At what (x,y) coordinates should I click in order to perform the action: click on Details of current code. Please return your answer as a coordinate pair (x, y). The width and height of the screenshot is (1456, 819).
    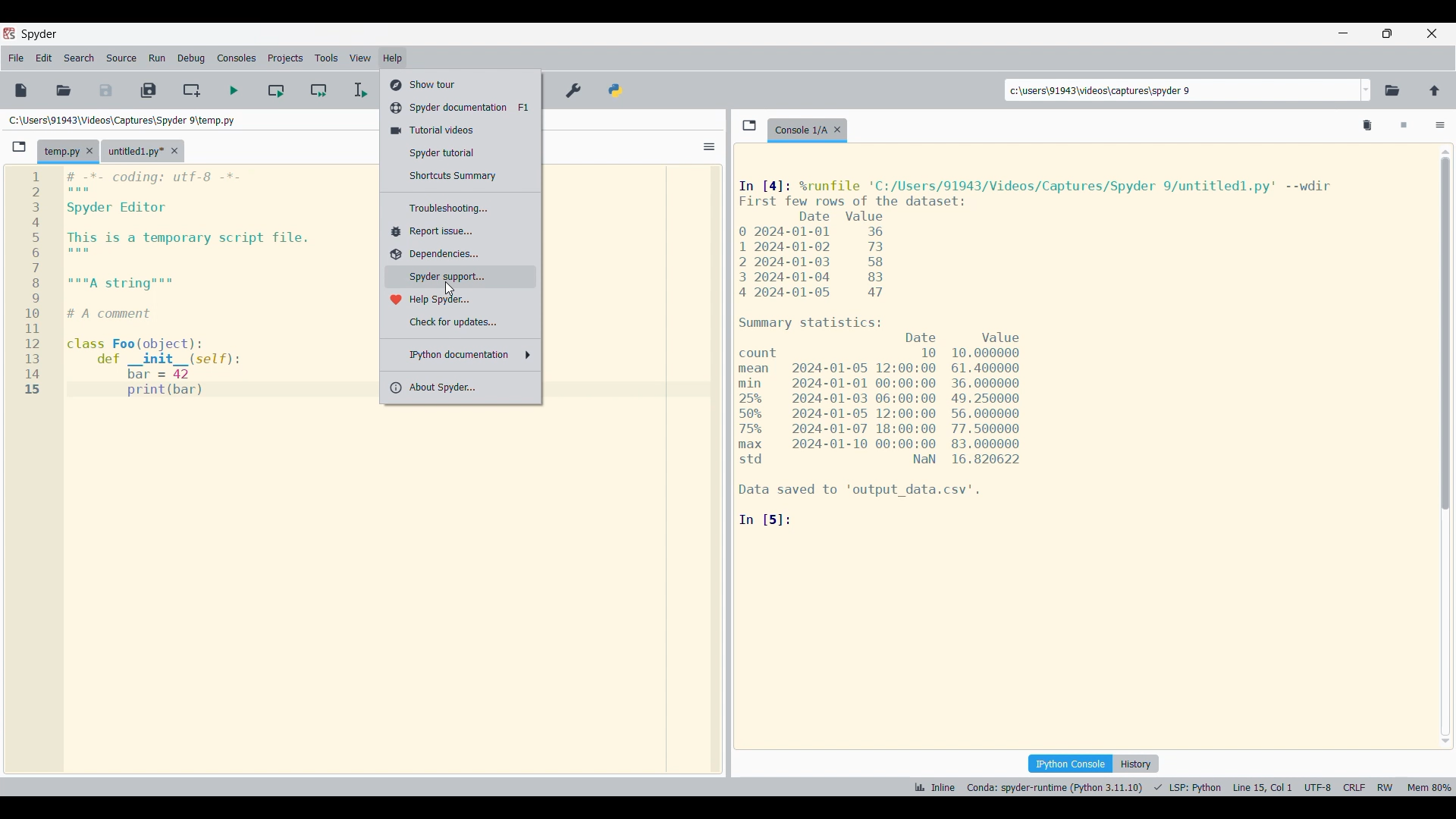
    Looking at the image, I should click on (1181, 786).